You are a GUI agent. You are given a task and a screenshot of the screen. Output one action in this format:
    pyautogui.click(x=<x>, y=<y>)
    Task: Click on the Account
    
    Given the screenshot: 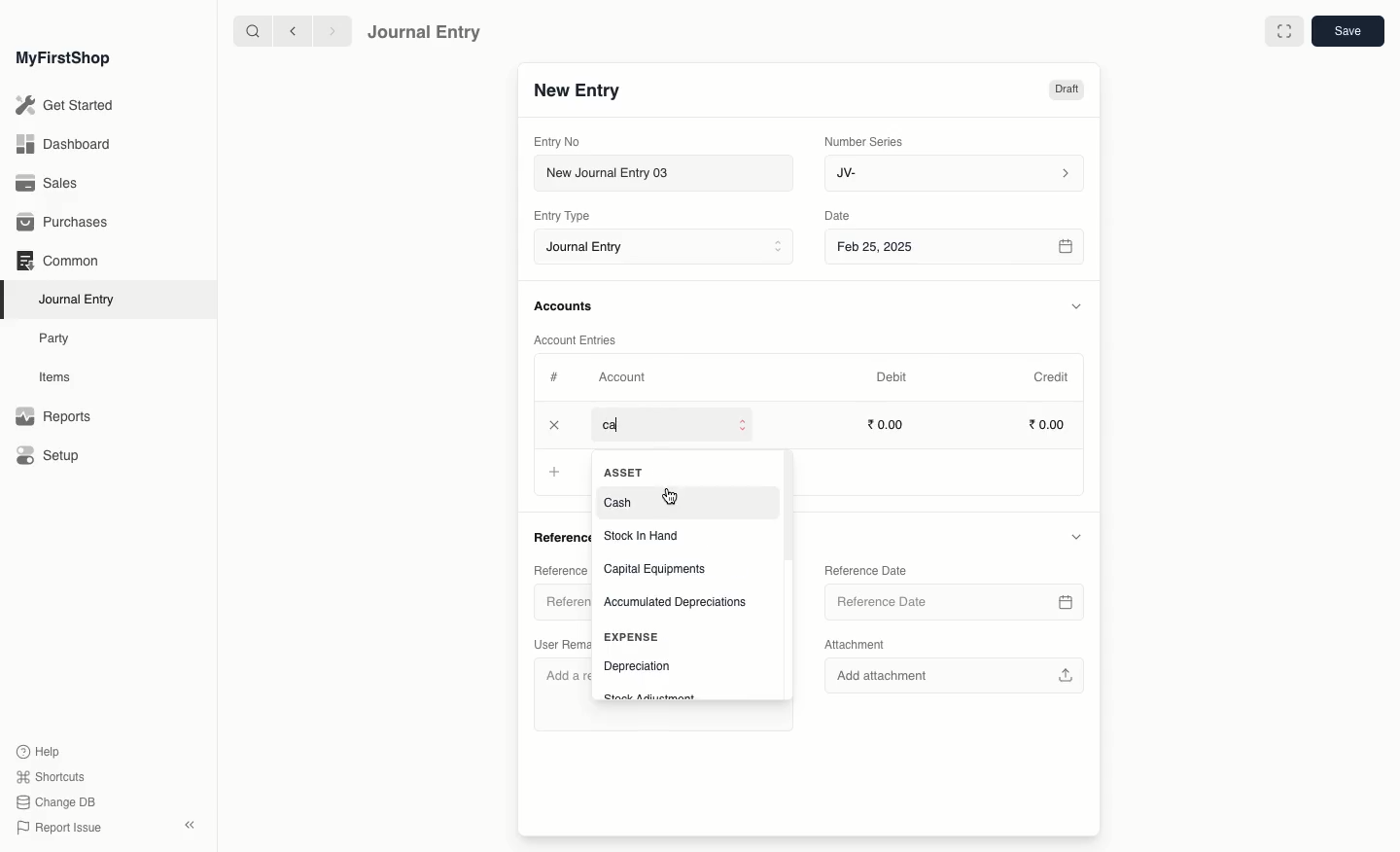 What is the action you would take?
    pyautogui.click(x=621, y=377)
    